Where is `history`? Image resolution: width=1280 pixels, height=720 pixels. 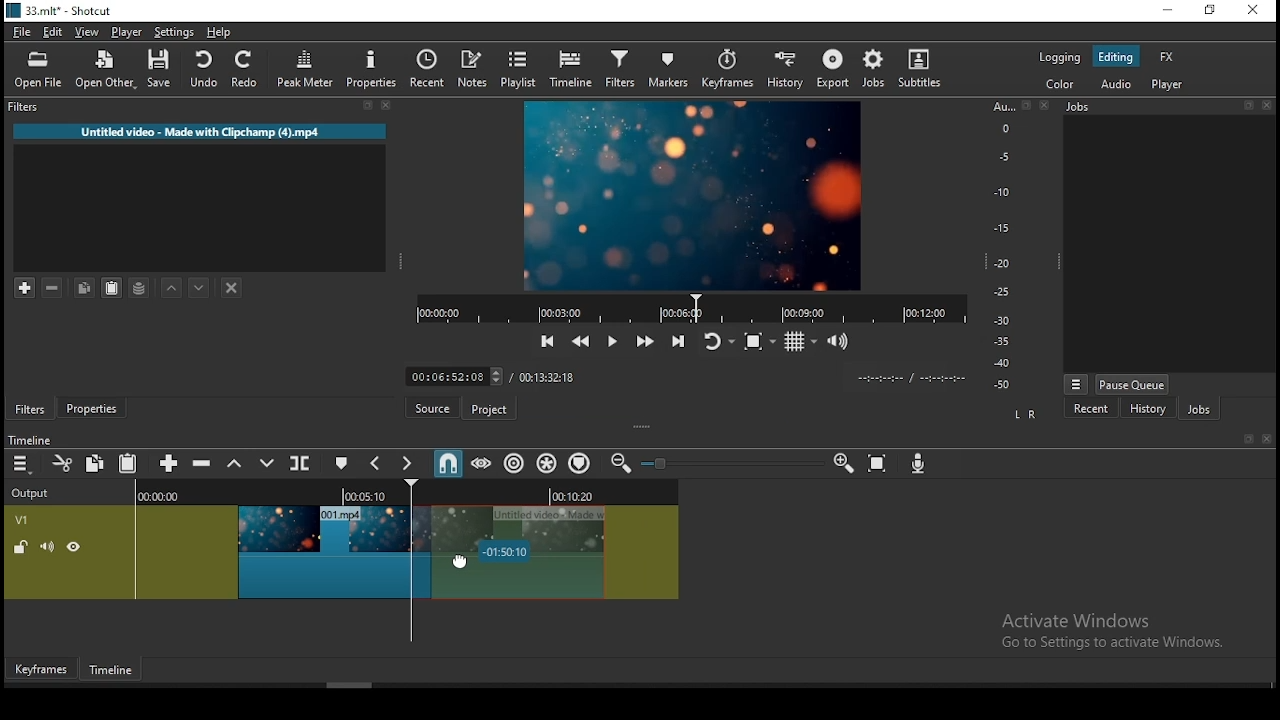
history is located at coordinates (782, 67).